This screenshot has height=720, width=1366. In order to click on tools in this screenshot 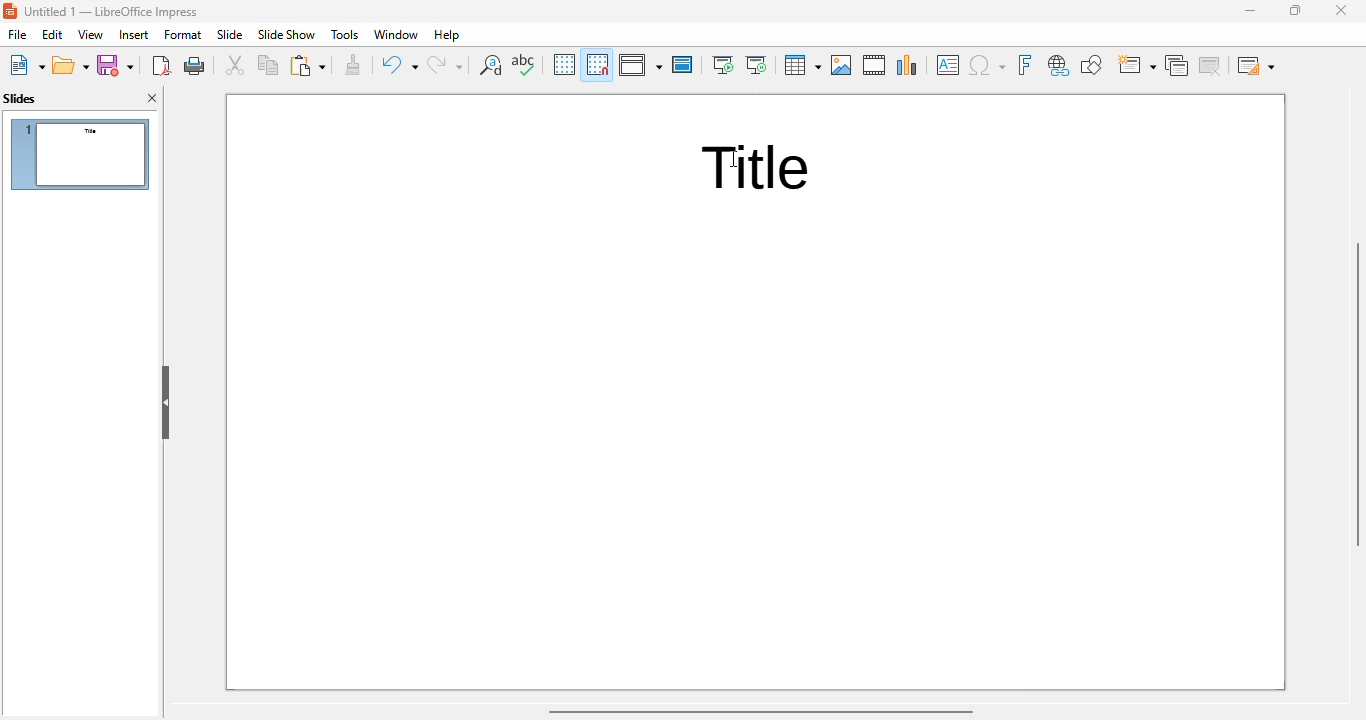, I will do `click(344, 35)`.